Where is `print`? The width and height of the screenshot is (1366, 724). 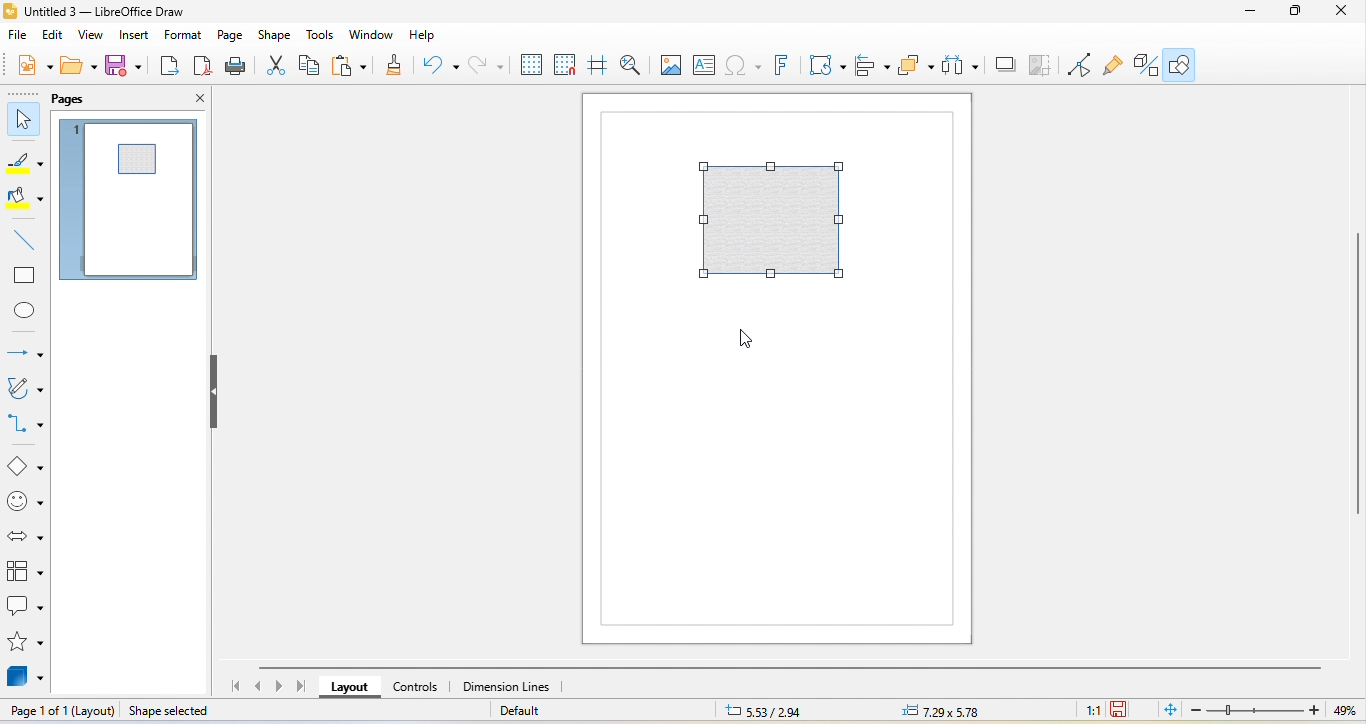
print is located at coordinates (236, 68).